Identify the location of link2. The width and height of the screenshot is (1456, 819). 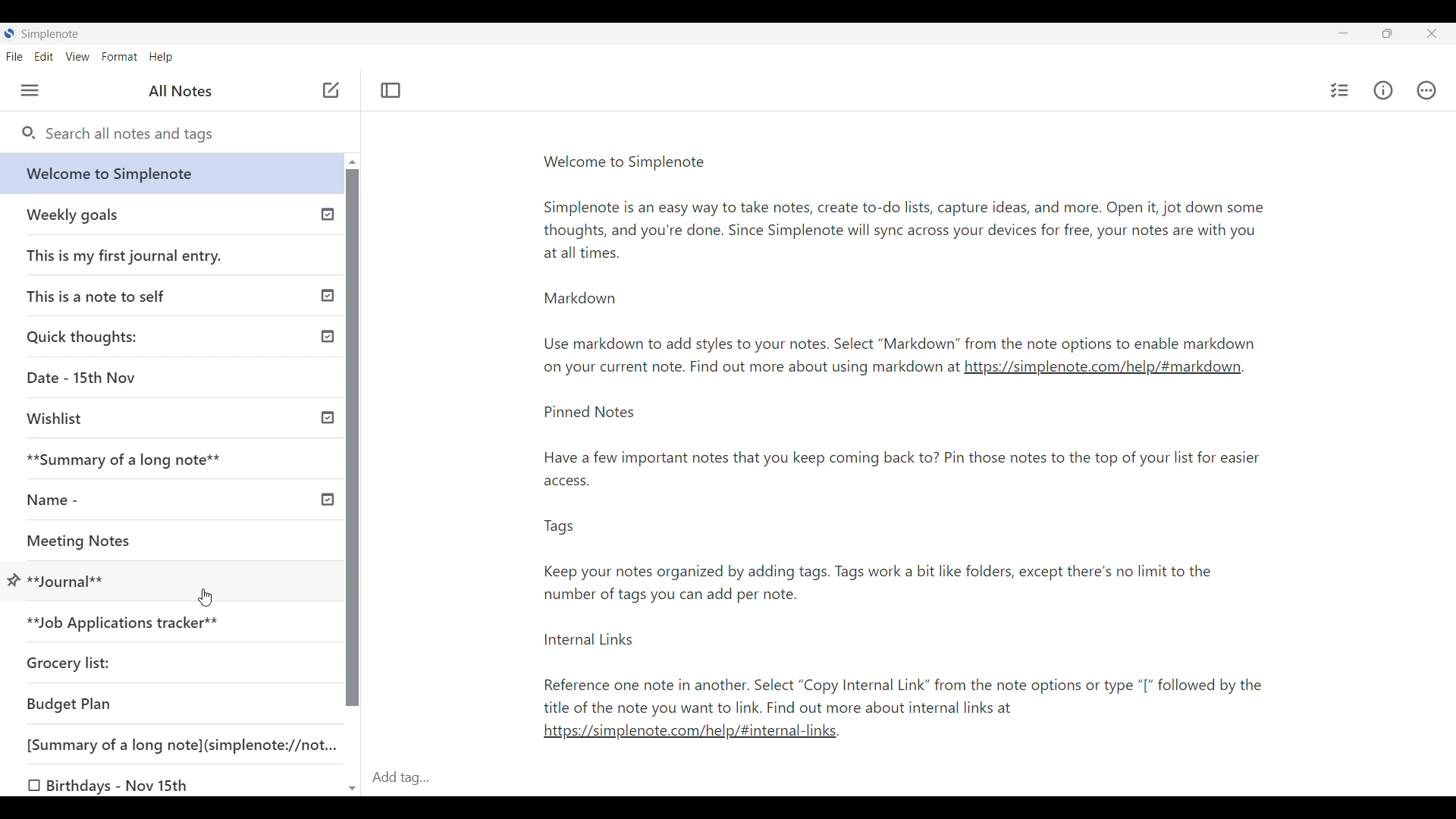
(1106, 368).